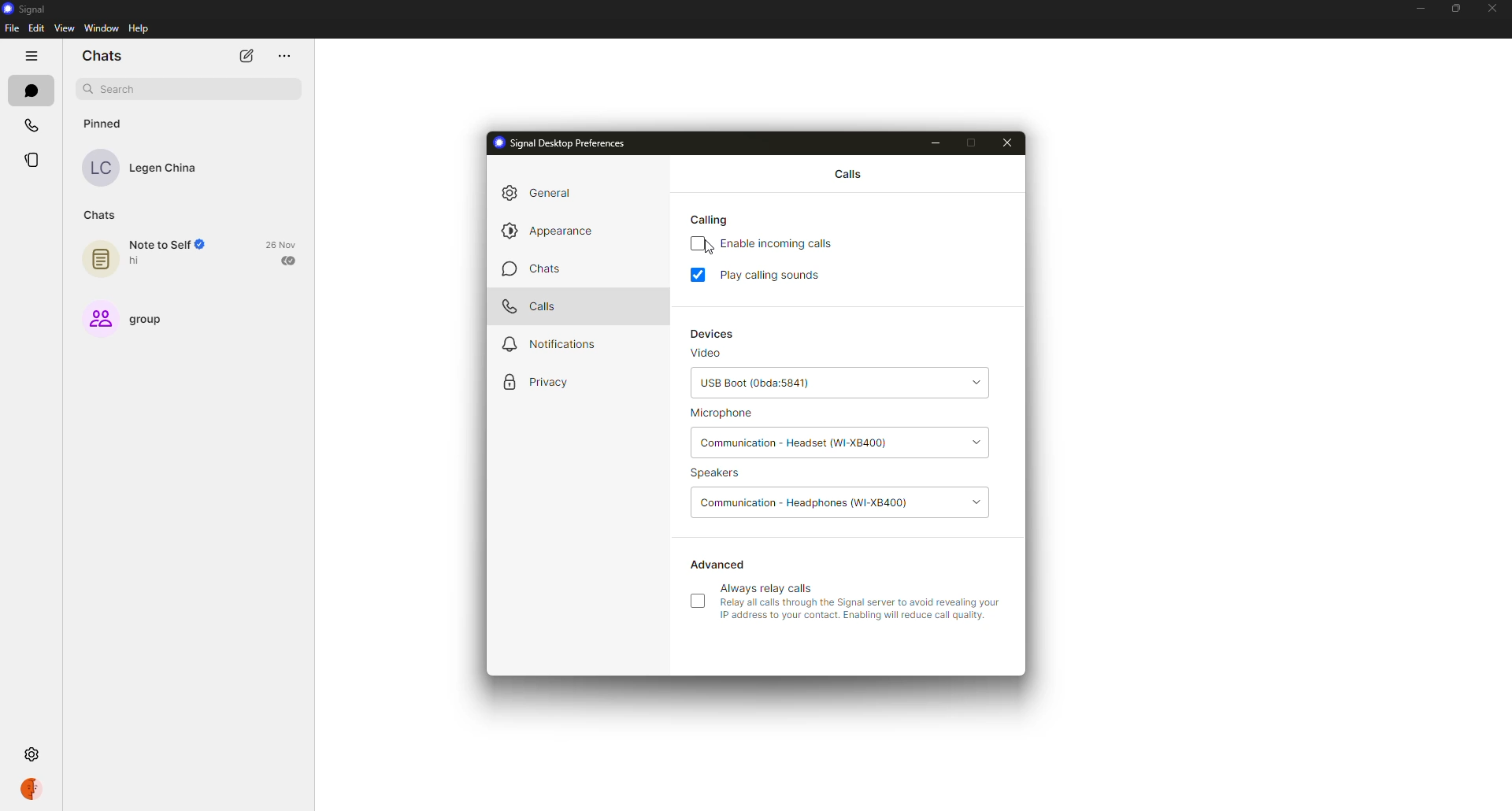 This screenshot has width=1512, height=811. Describe the element at coordinates (98, 216) in the screenshot. I see `chats` at that location.